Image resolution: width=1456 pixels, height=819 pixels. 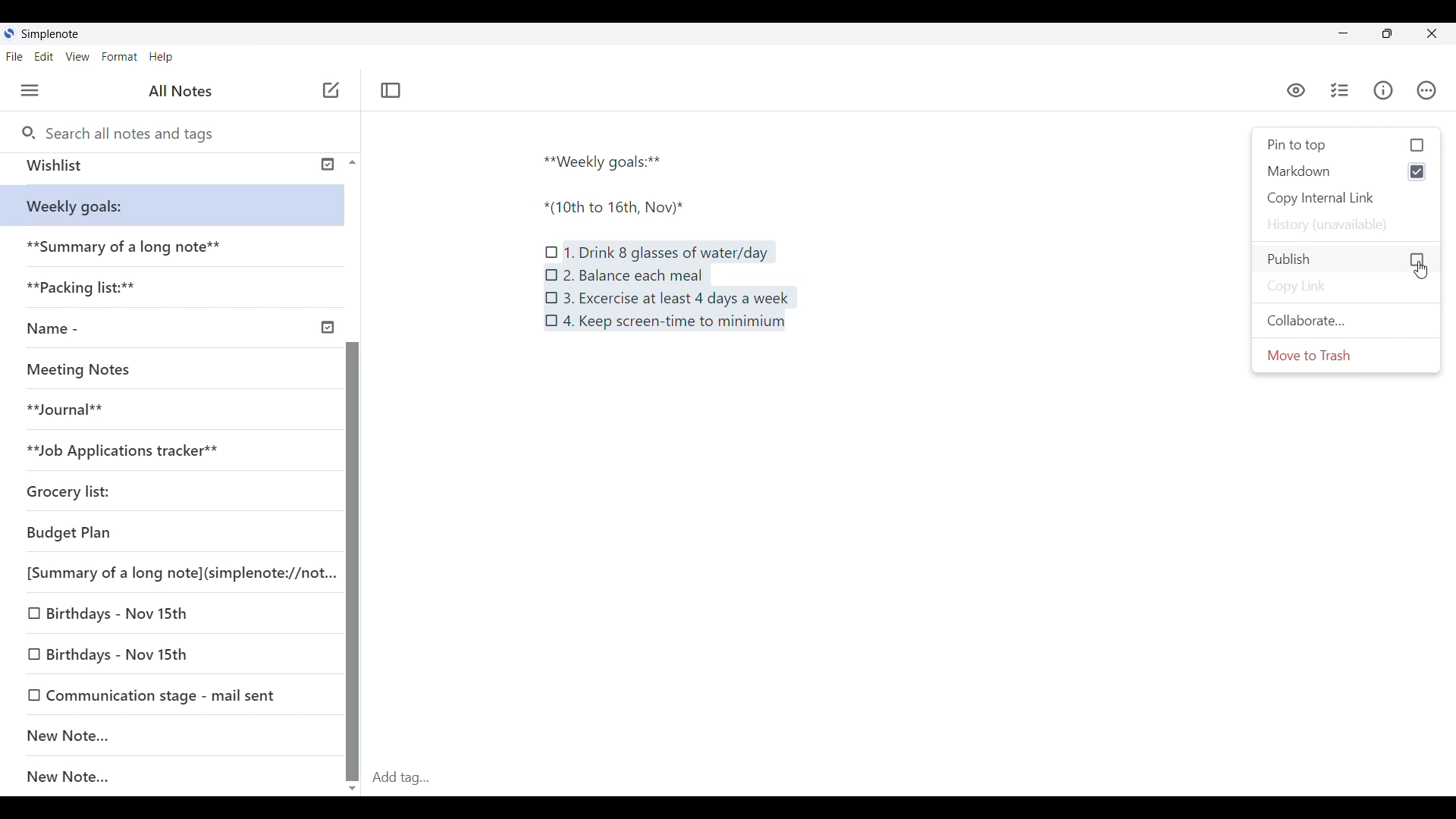 What do you see at coordinates (1424, 270) in the screenshot?
I see `Selection cursor` at bounding box center [1424, 270].